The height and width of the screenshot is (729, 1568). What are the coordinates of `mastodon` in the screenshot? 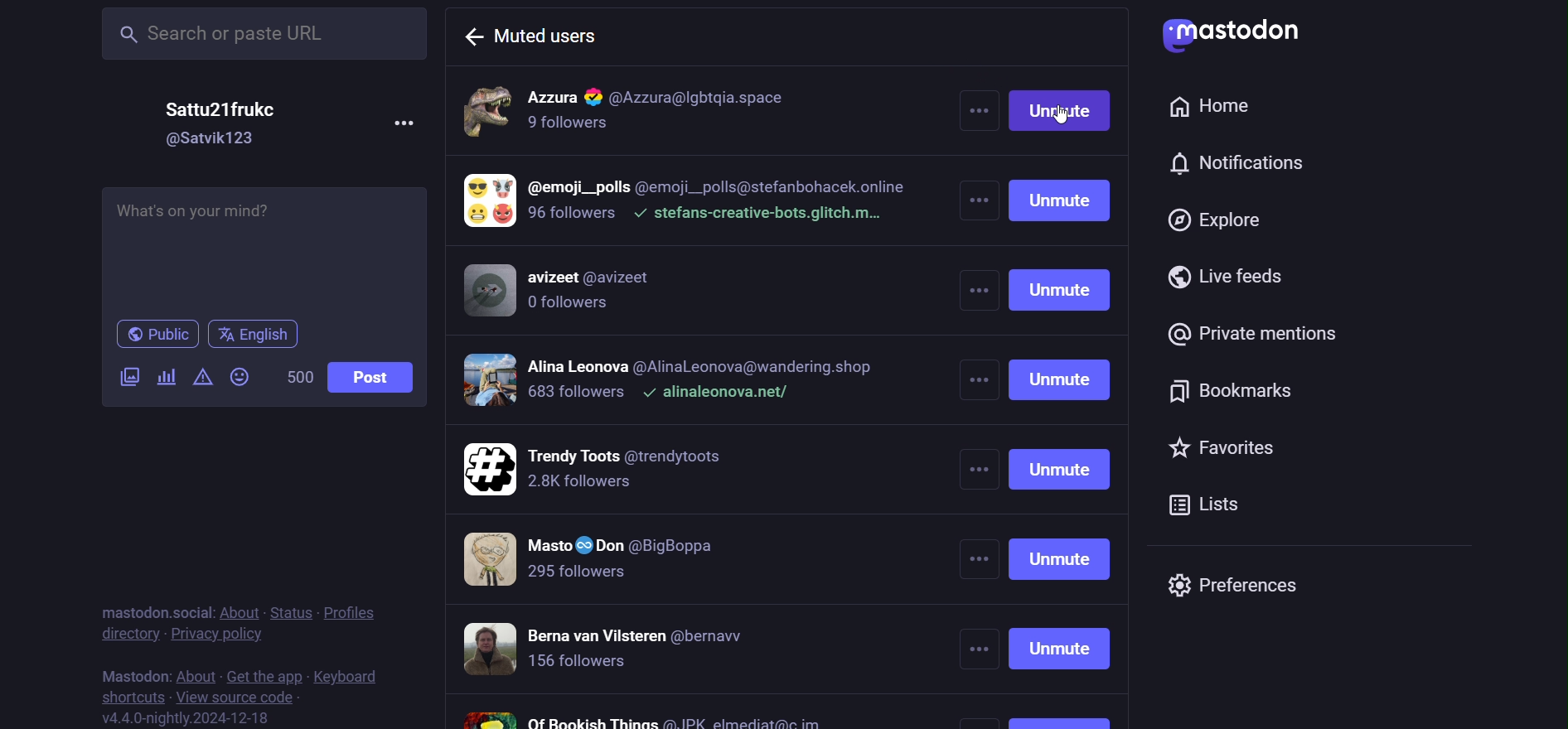 It's located at (130, 673).